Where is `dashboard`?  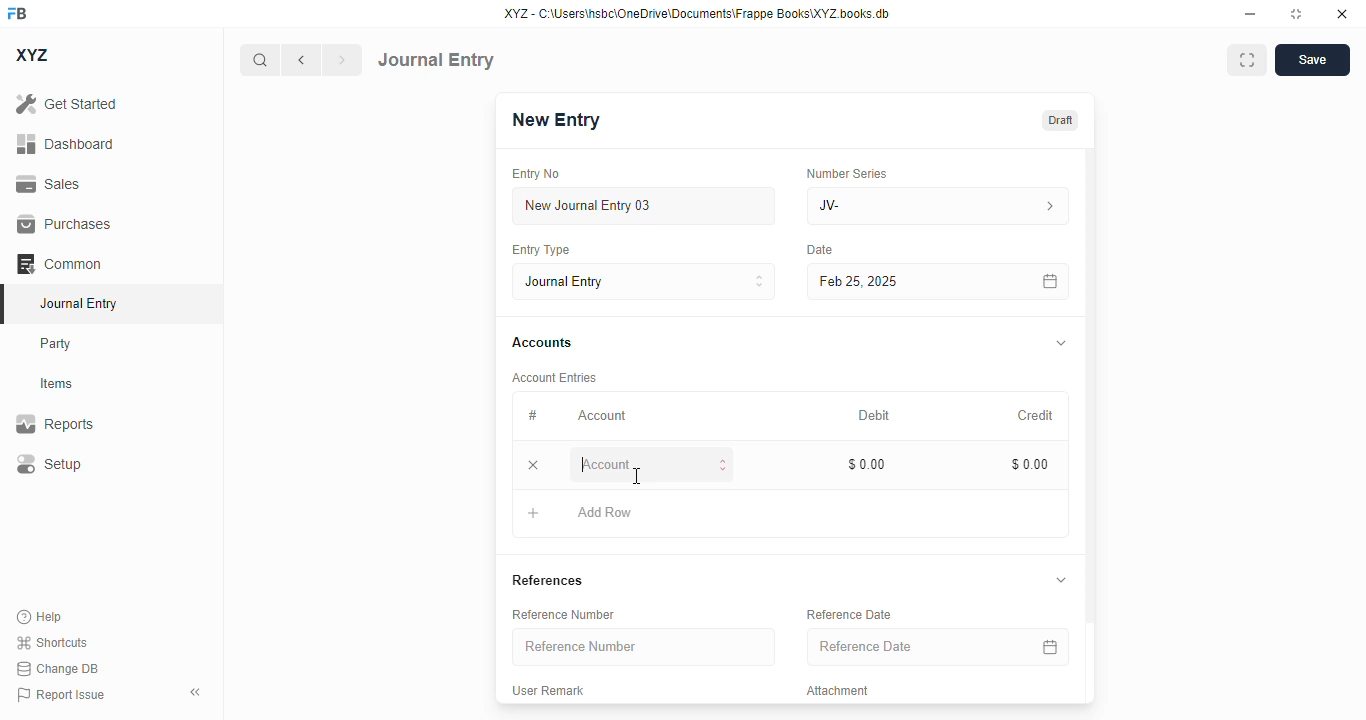
dashboard is located at coordinates (66, 144).